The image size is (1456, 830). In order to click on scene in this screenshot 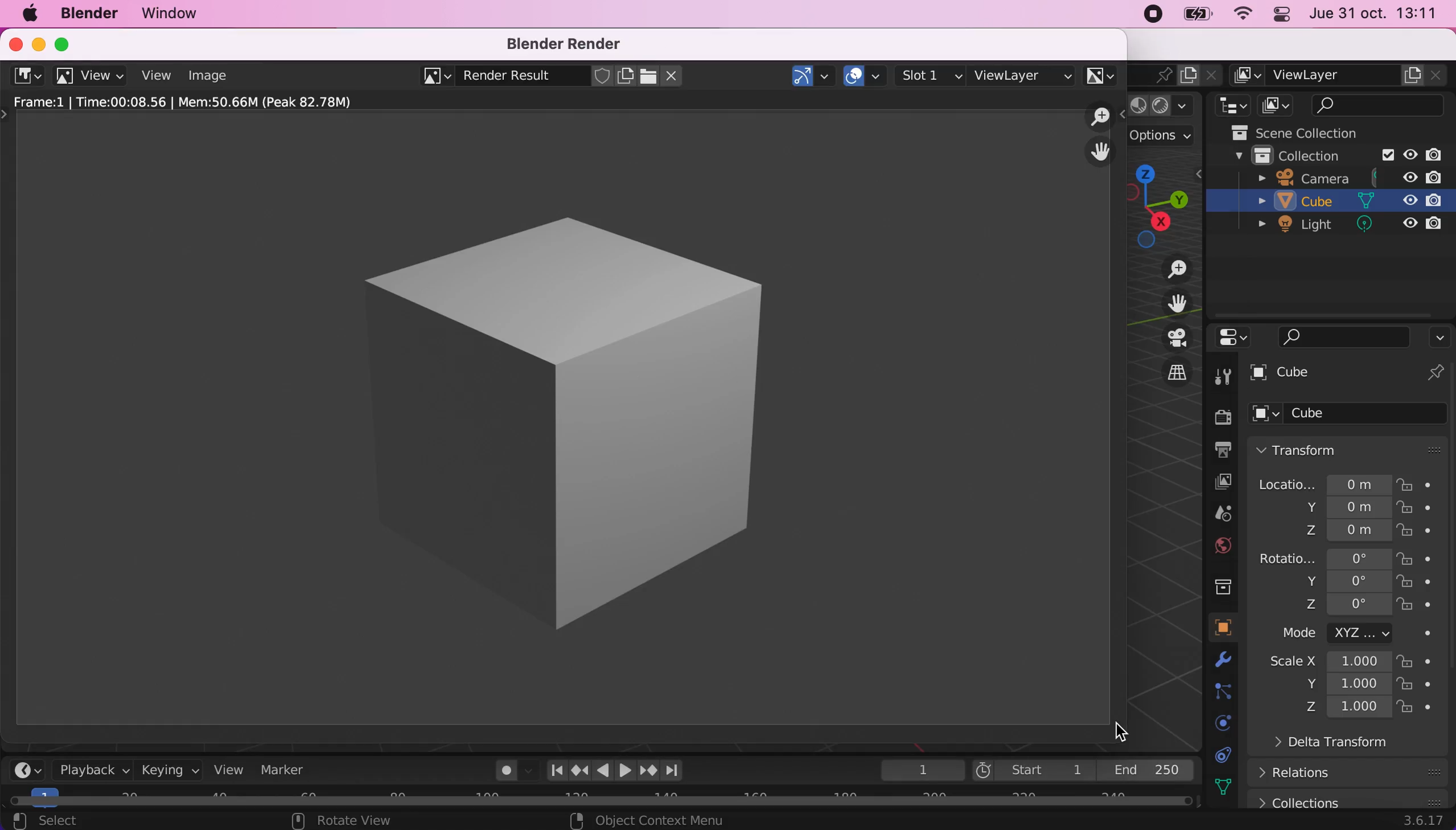, I will do `click(1222, 514)`.